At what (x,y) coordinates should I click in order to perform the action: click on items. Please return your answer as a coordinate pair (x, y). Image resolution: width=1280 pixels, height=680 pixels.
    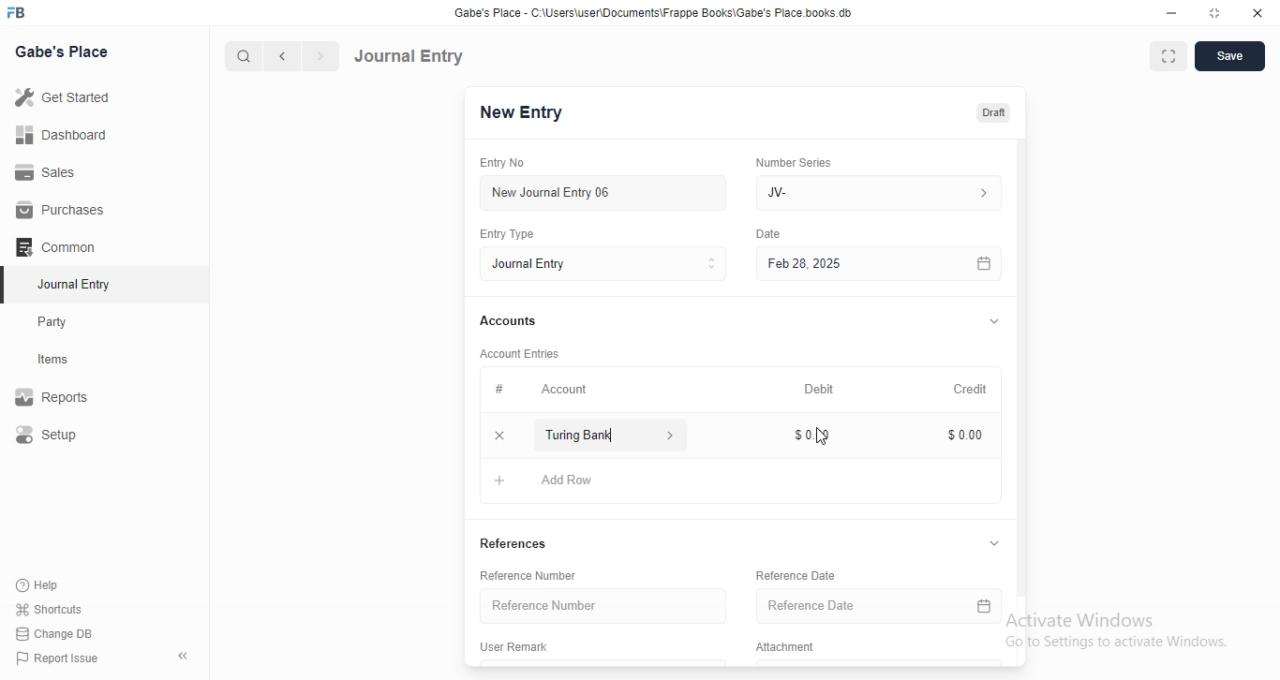
    Looking at the image, I should click on (66, 361).